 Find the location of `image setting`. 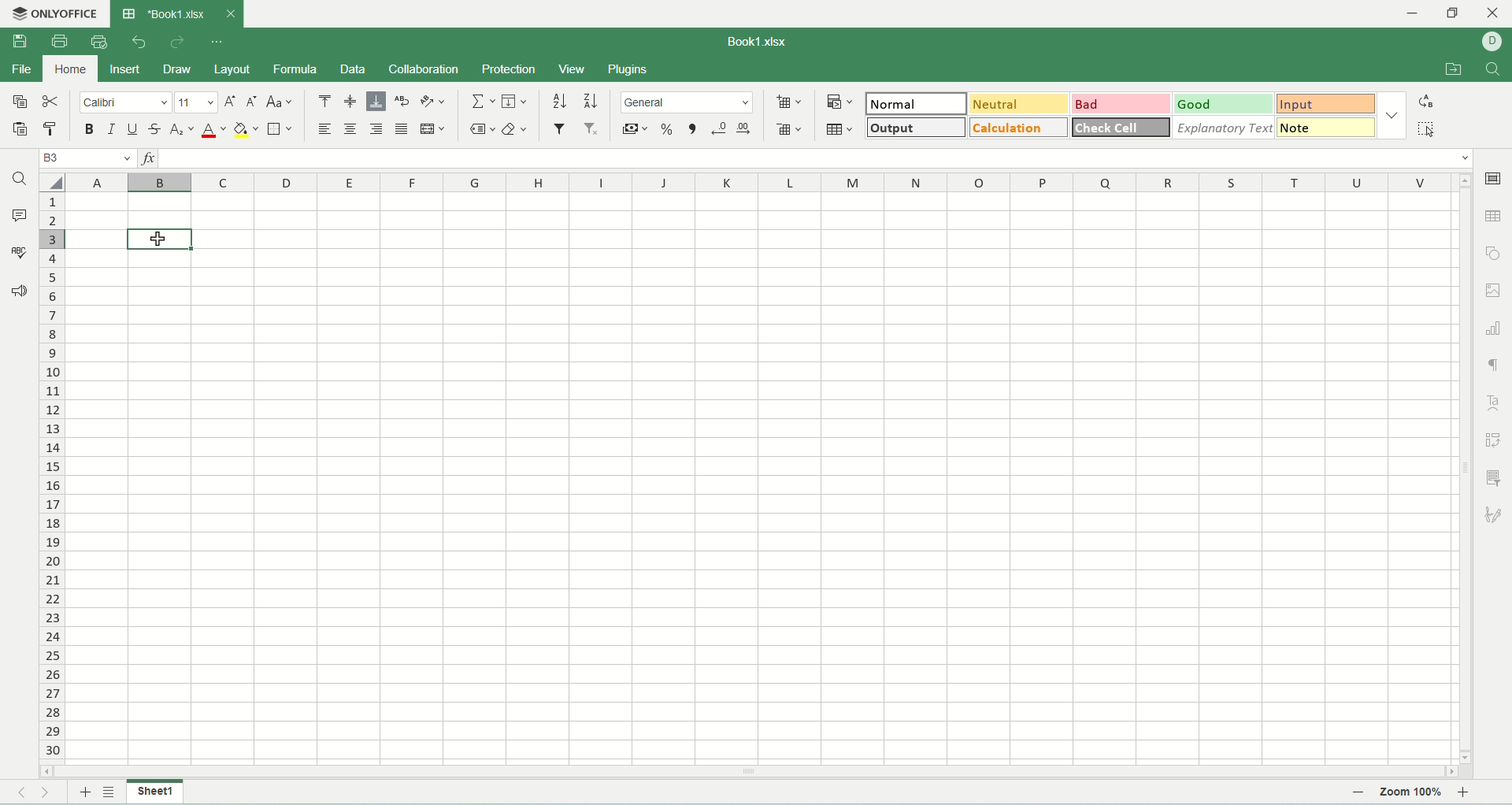

image setting is located at coordinates (1495, 288).